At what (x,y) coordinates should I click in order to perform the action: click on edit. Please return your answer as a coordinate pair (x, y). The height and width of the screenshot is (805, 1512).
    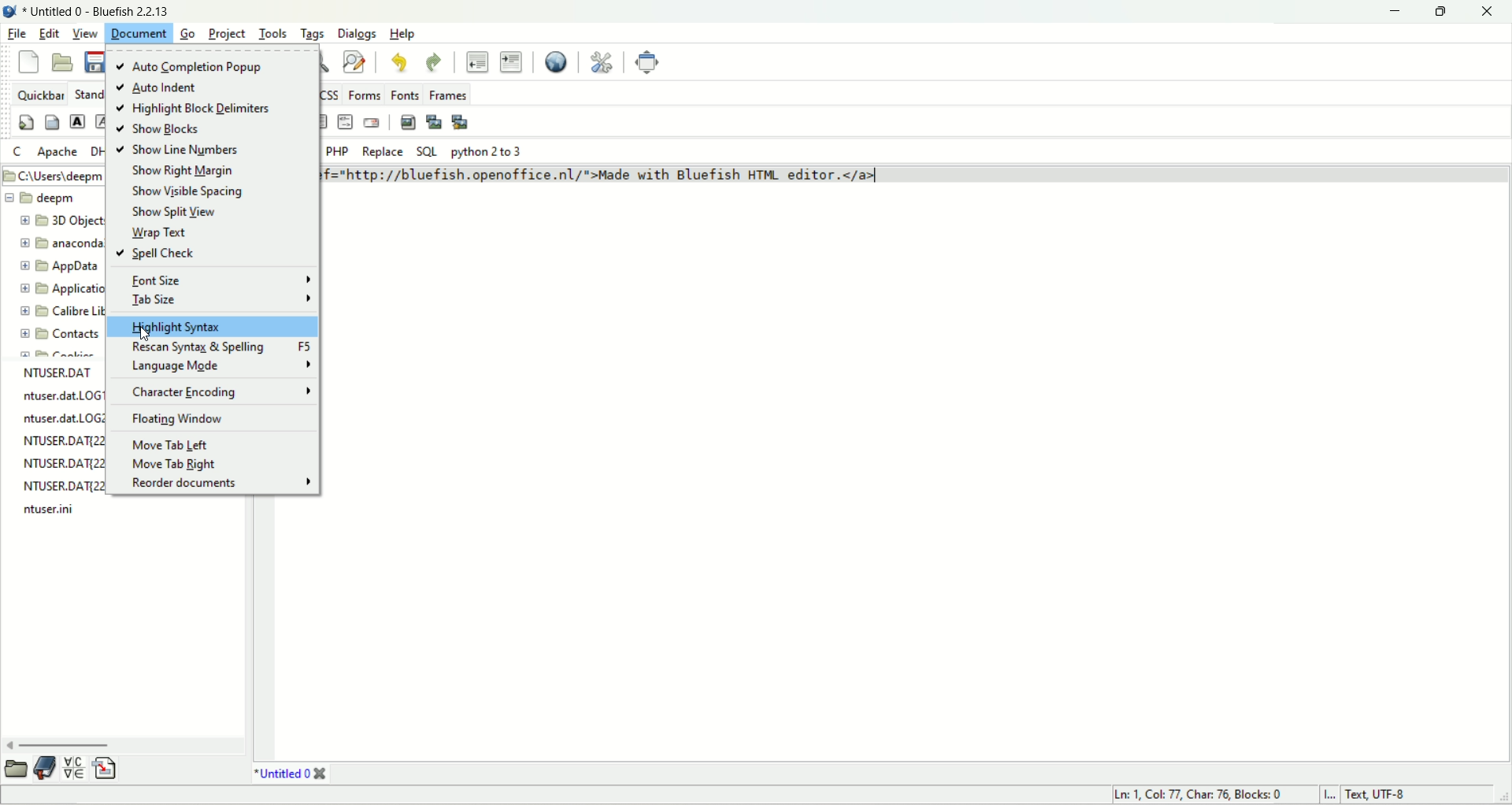
    Looking at the image, I should click on (51, 35).